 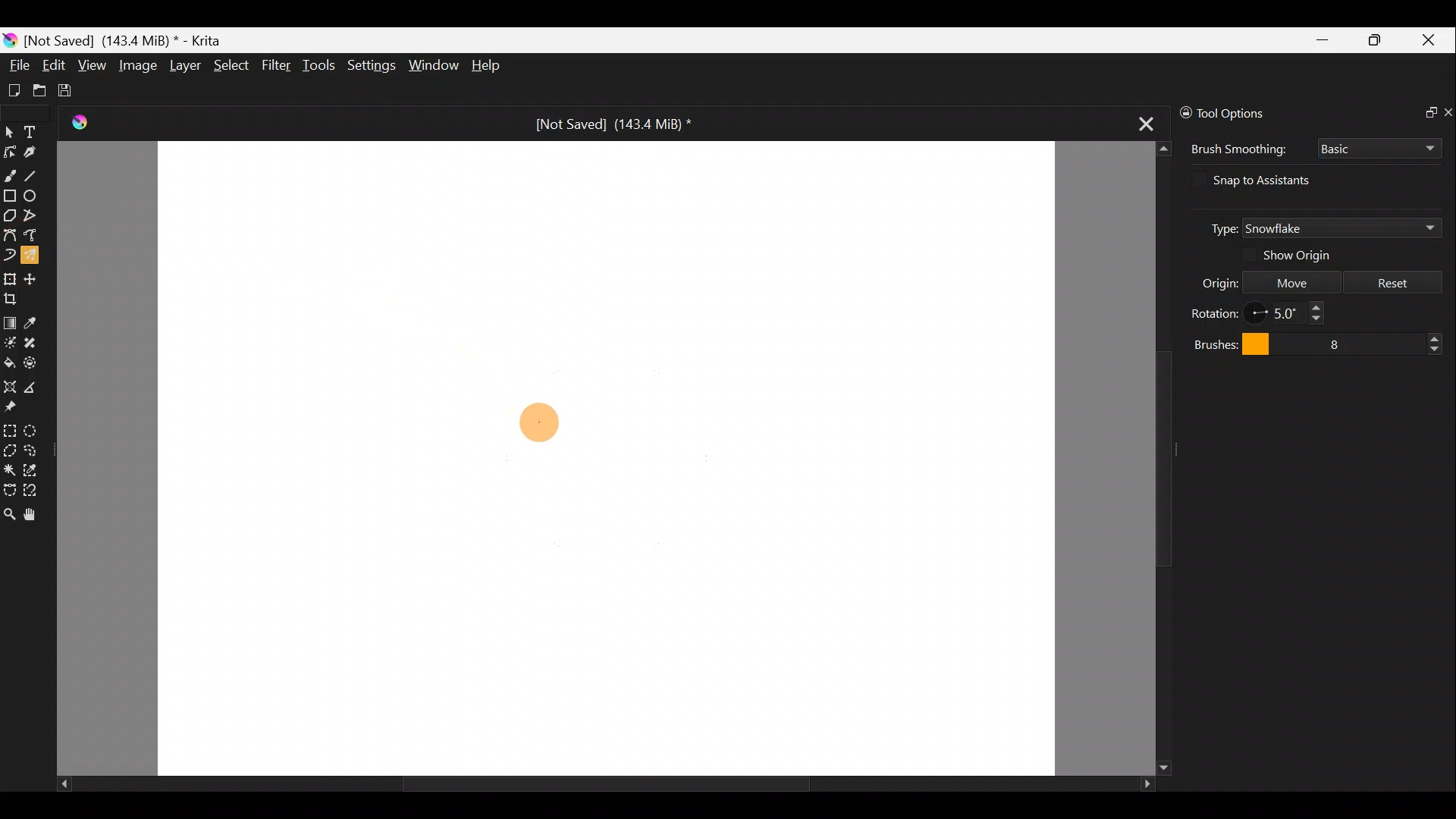 What do you see at coordinates (1291, 281) in the screenshot?
I see `Move` at bounding box center [1291, 281].